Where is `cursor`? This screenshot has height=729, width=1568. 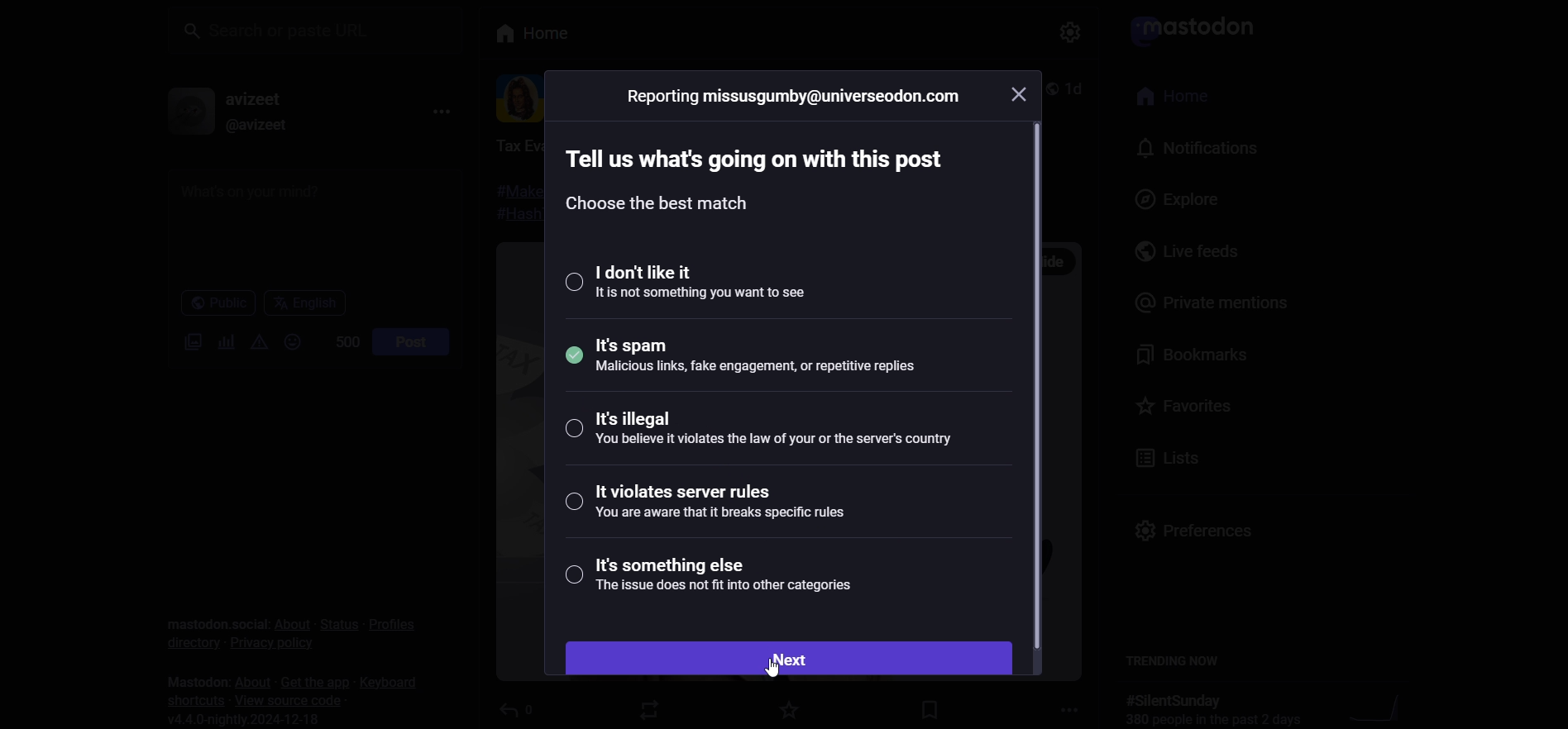
cursor is located at coordinates (777, 668).